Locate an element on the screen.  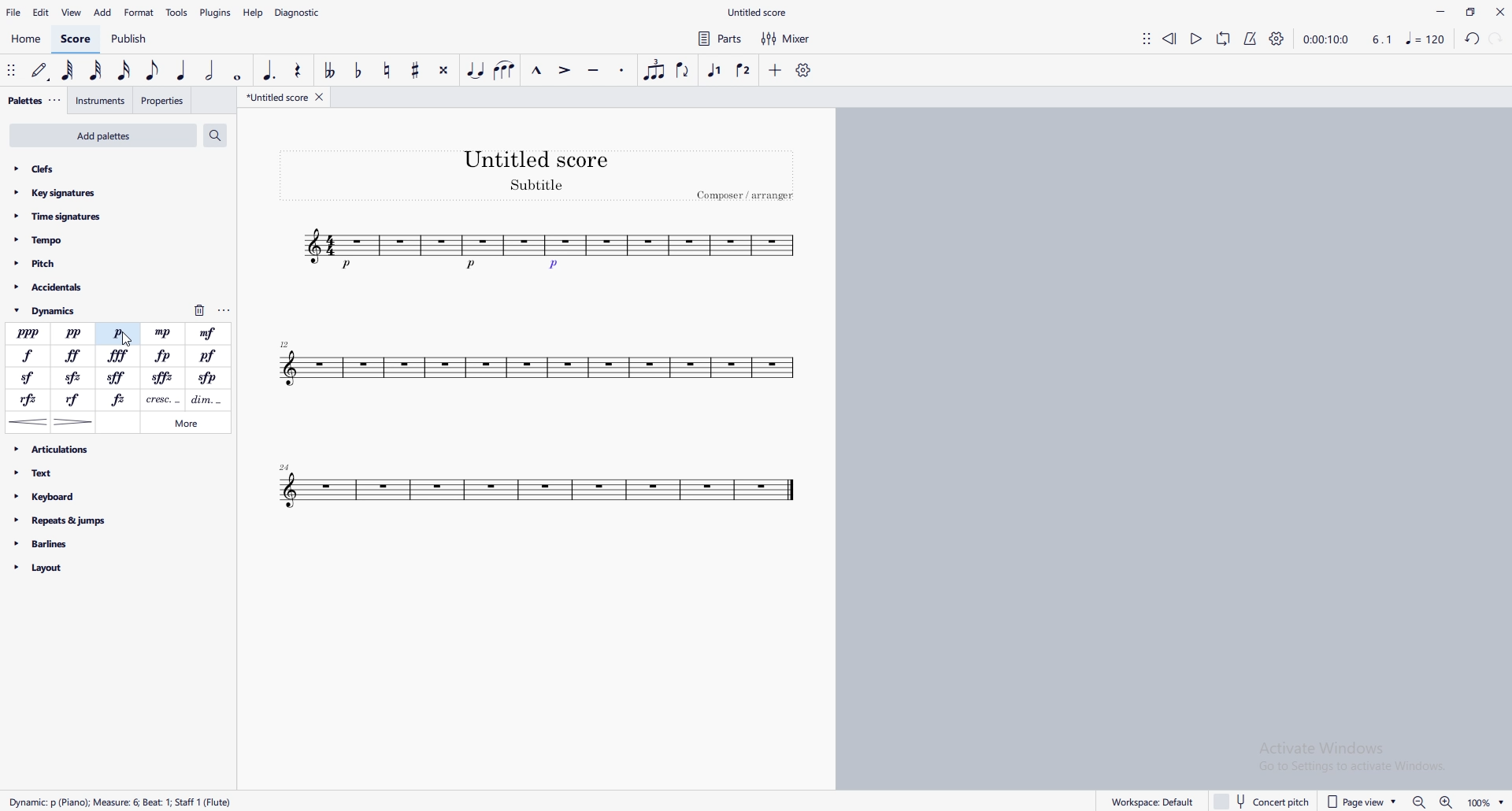
forzando is located at coordinates (120, 401).